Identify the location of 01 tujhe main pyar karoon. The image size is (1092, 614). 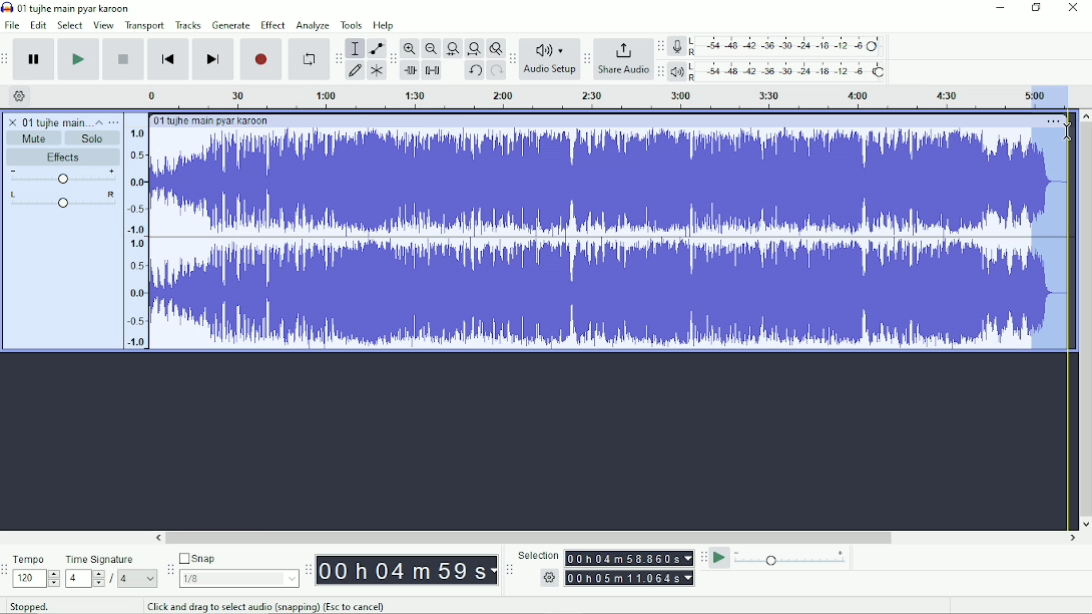
(219, 121).